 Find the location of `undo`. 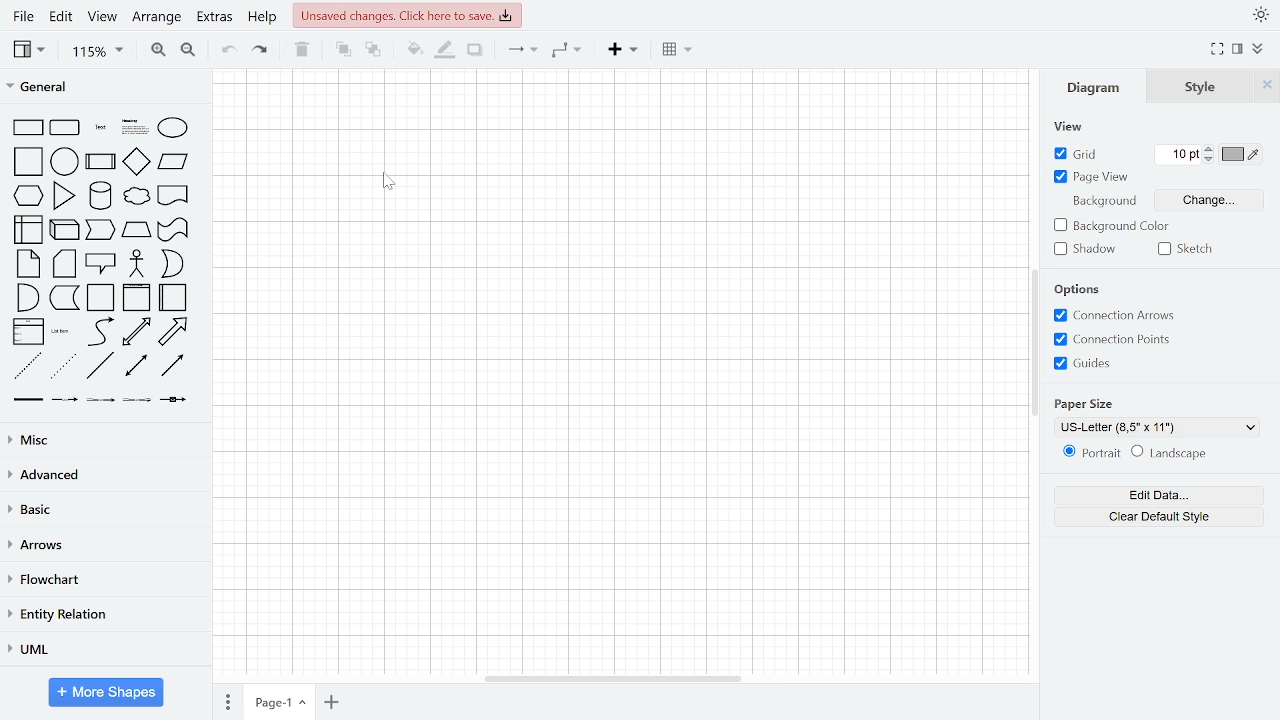

undo is located at coordinates (226, 50).